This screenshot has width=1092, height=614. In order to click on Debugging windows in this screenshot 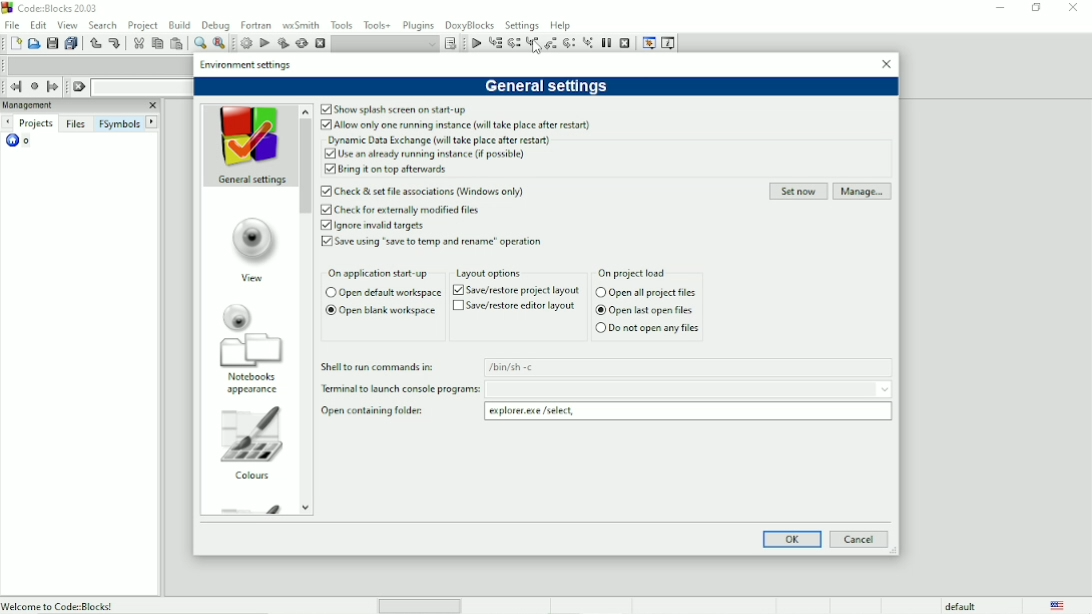, I will do `click(648, 43)`.